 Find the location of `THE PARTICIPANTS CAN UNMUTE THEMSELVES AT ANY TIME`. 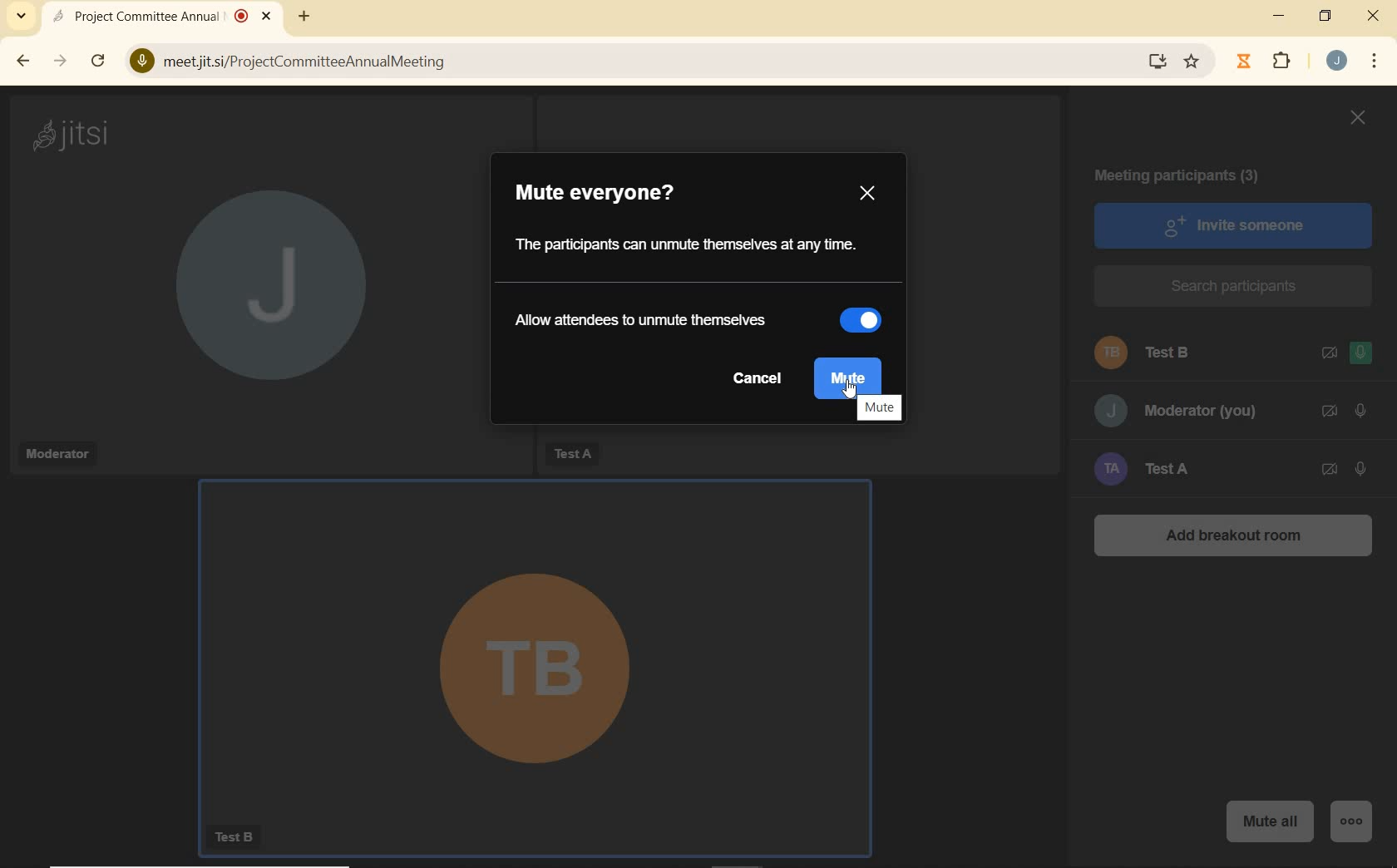

THE PARTICIPANTS CAN UNMUTE THEMSELVES AT ANY TIME is located at coordinates (689, 248).